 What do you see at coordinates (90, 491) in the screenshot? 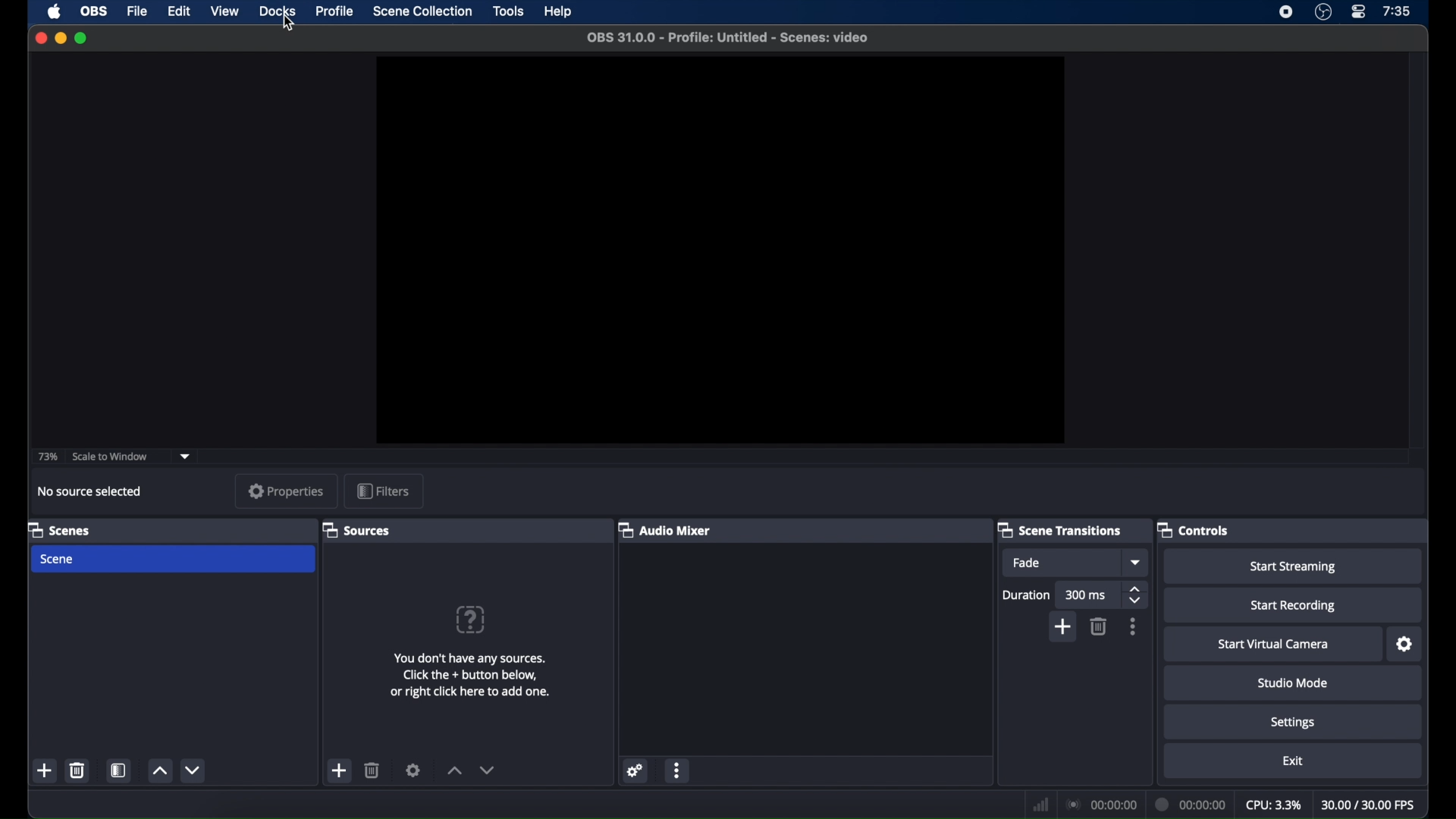
I see `no source selected` at bounding box center [90, 491].